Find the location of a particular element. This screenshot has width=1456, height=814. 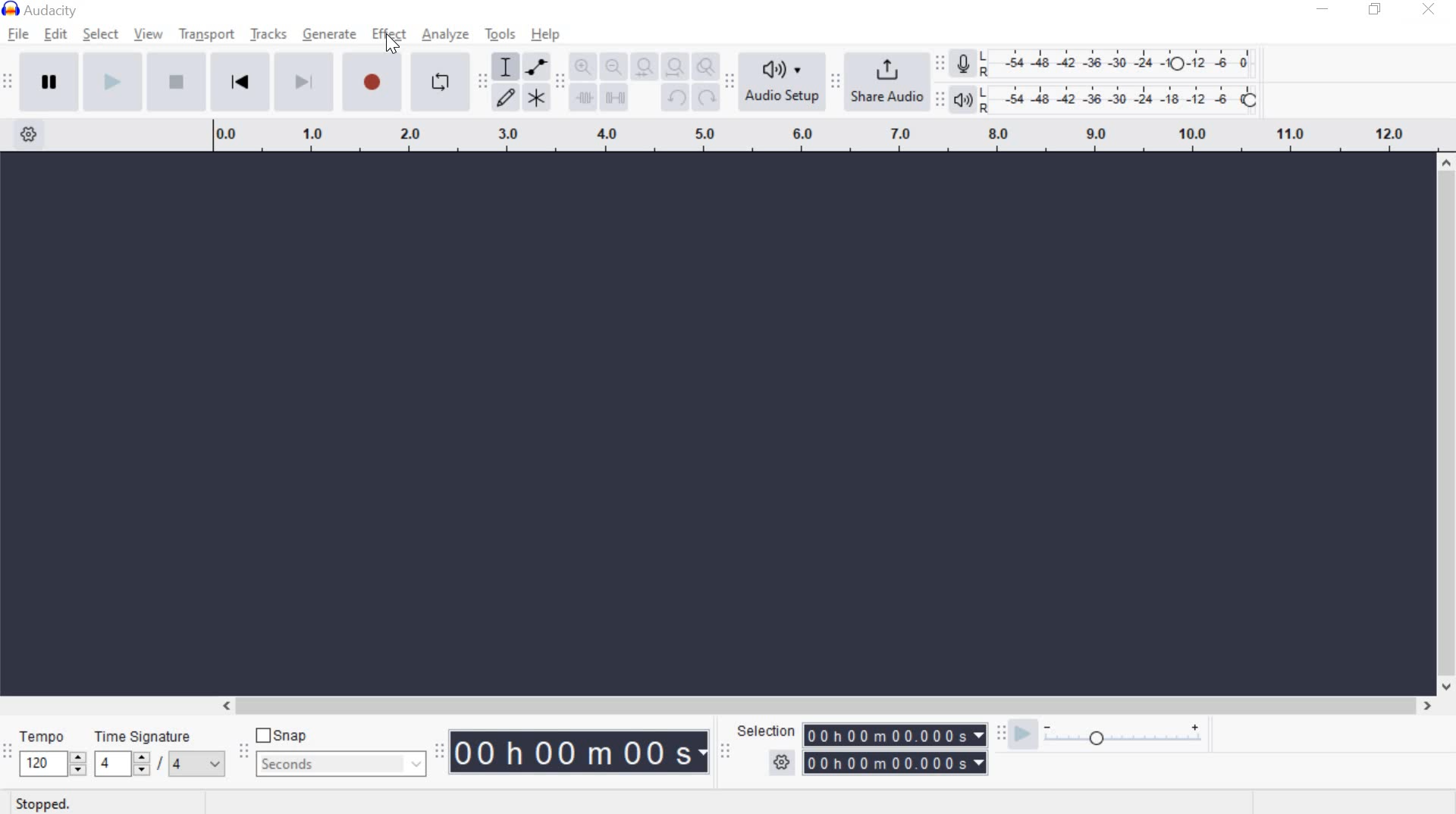

Tools toolbar is located at coordinates (484, 82).